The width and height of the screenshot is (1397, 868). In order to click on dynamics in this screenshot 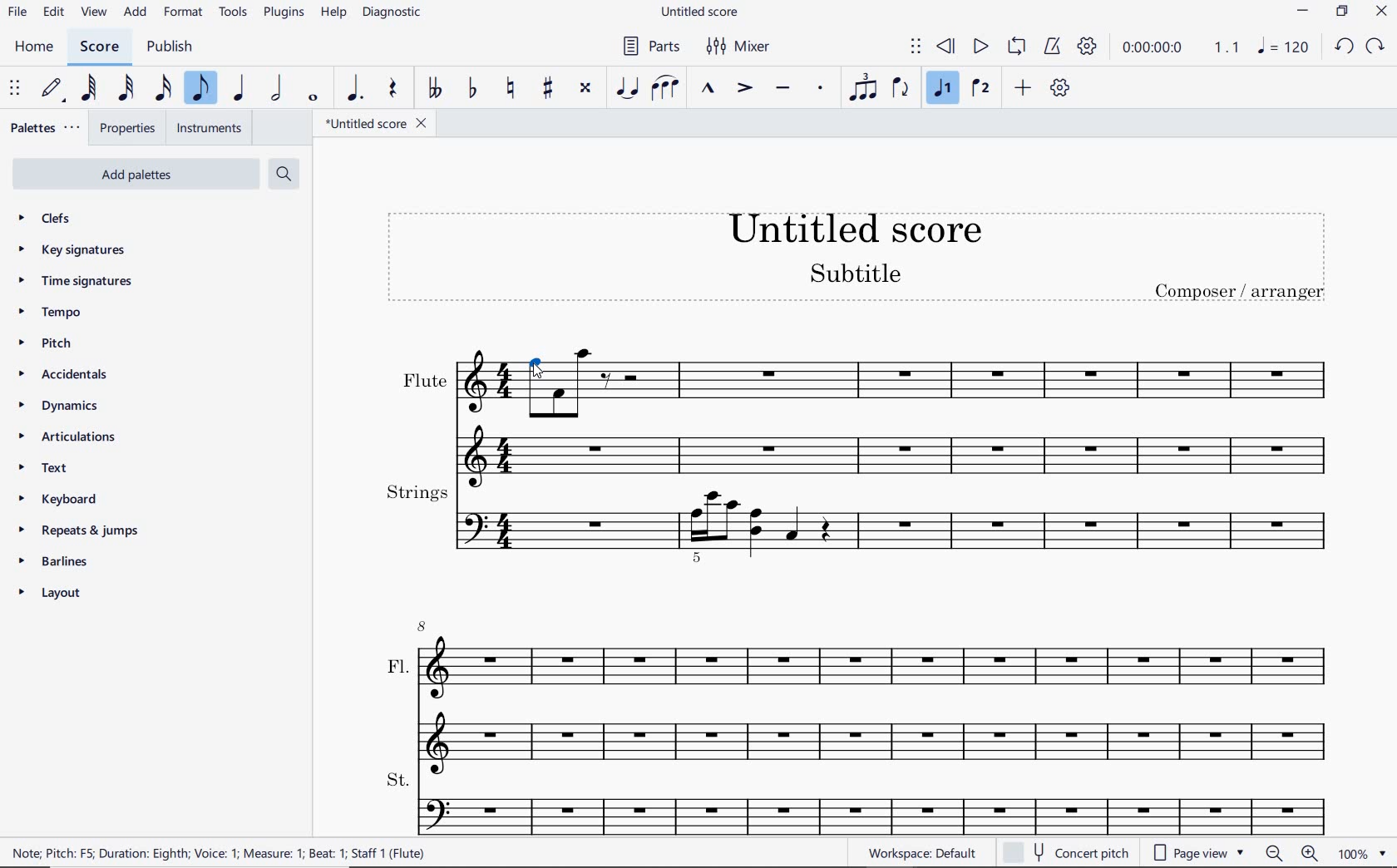, I will do `click(58, 407)`.